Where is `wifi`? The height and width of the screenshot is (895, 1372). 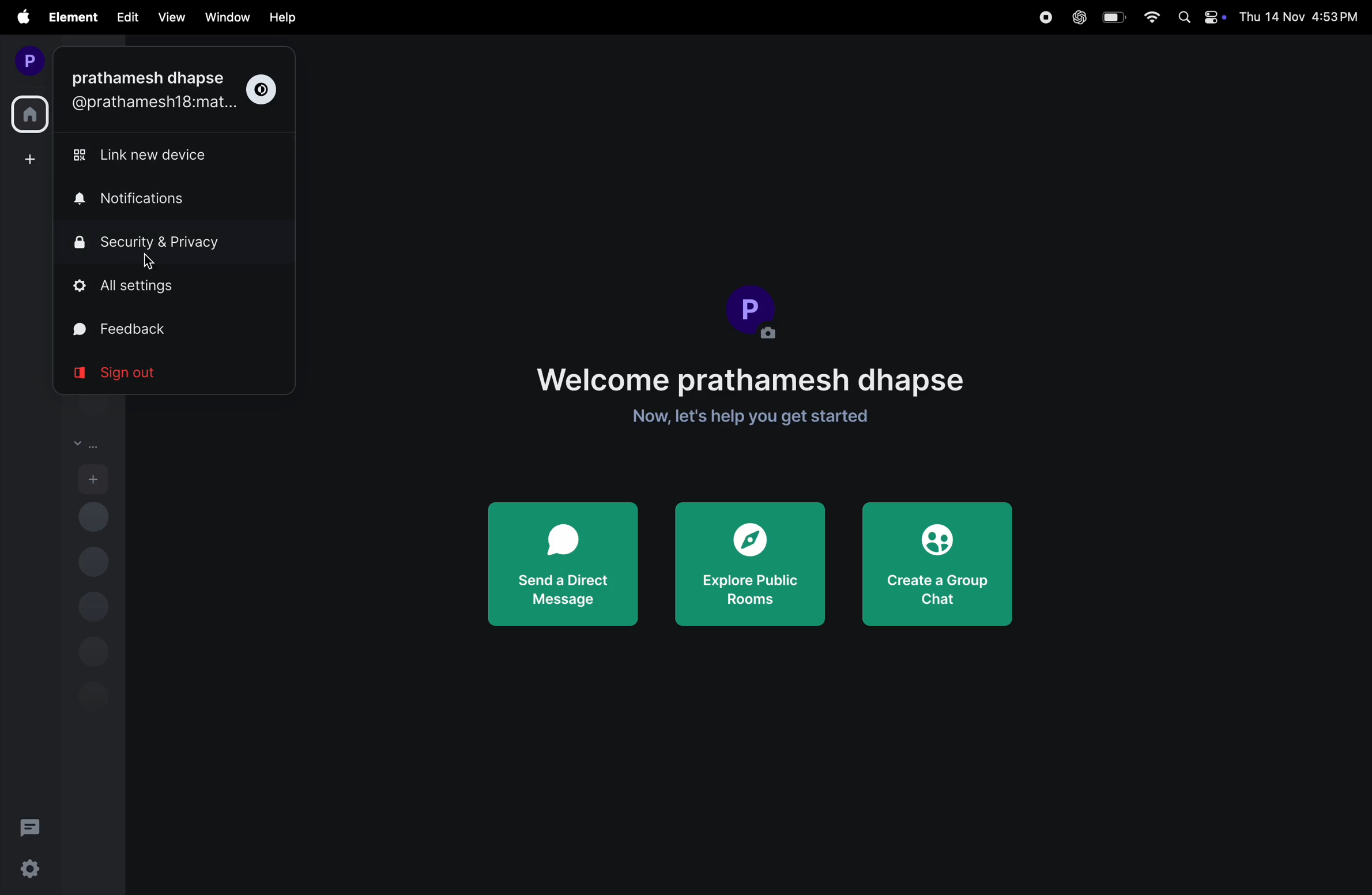 wifi is located at coordinates (1150, 20).